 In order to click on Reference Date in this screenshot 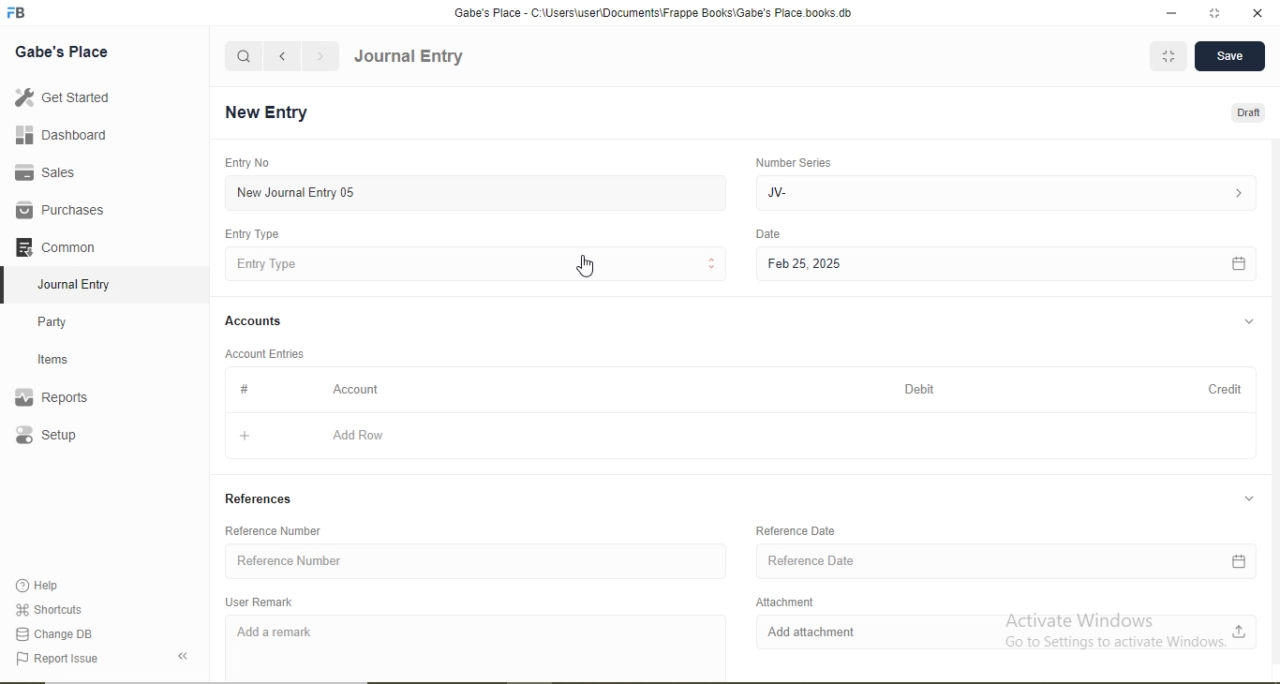, I will do `click(1012, 562)`.